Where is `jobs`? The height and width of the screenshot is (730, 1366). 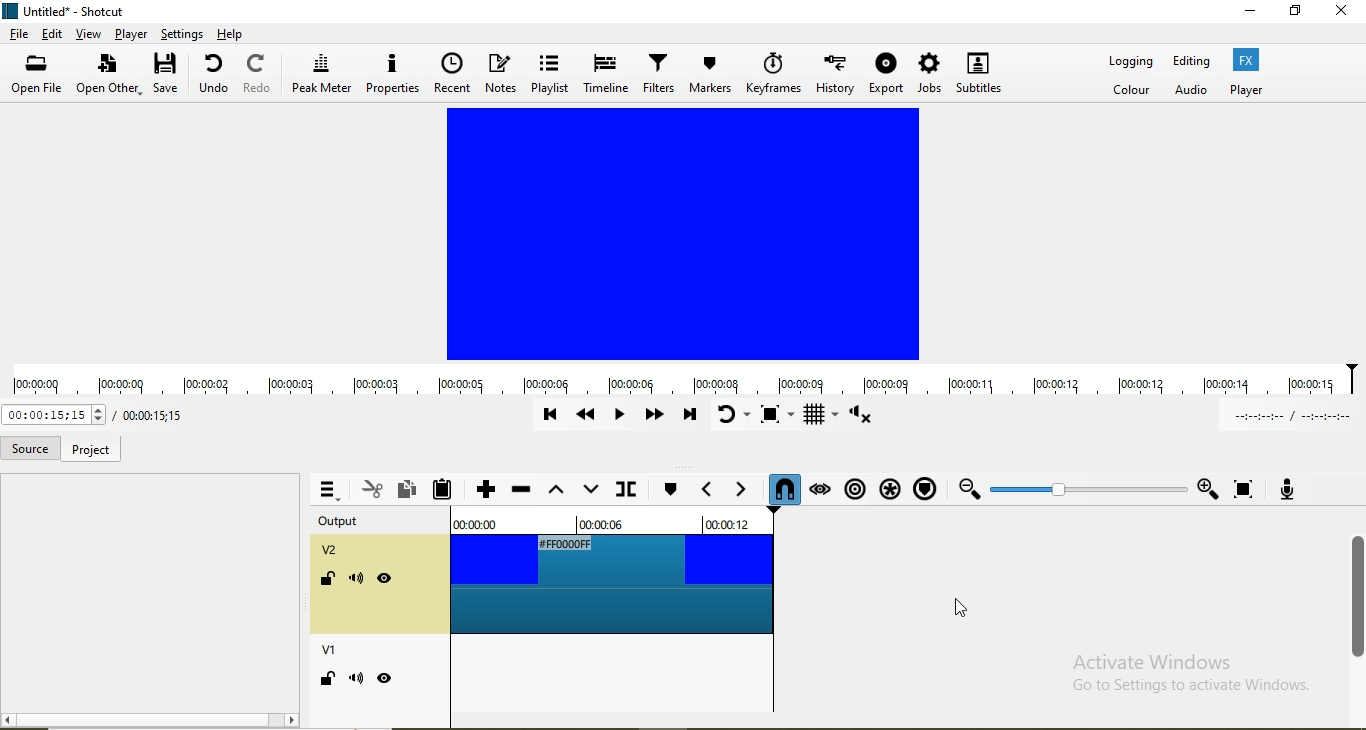 jobs is located at coordinates (930, 71).